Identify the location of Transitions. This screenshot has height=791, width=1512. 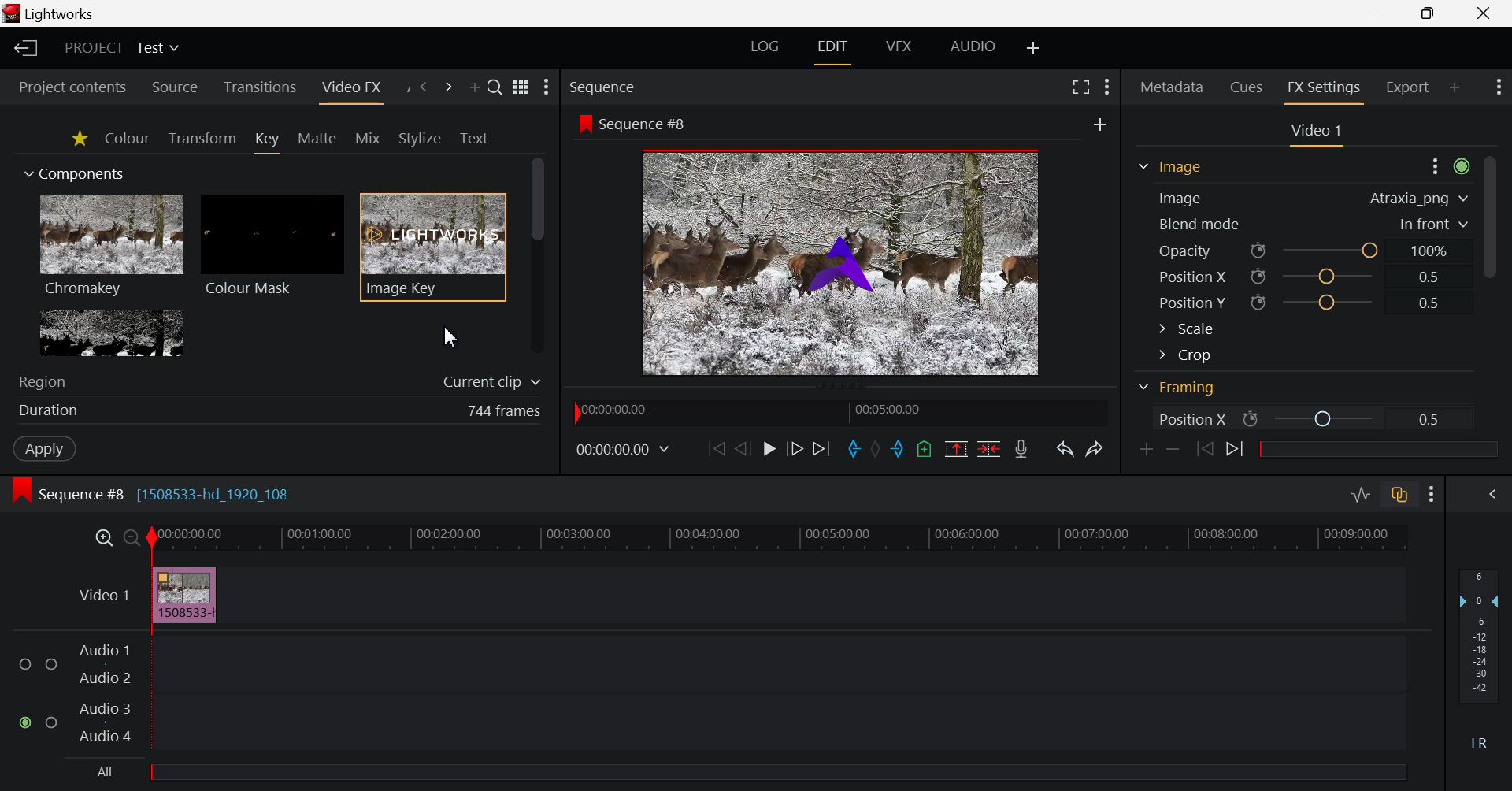
(263, 85).